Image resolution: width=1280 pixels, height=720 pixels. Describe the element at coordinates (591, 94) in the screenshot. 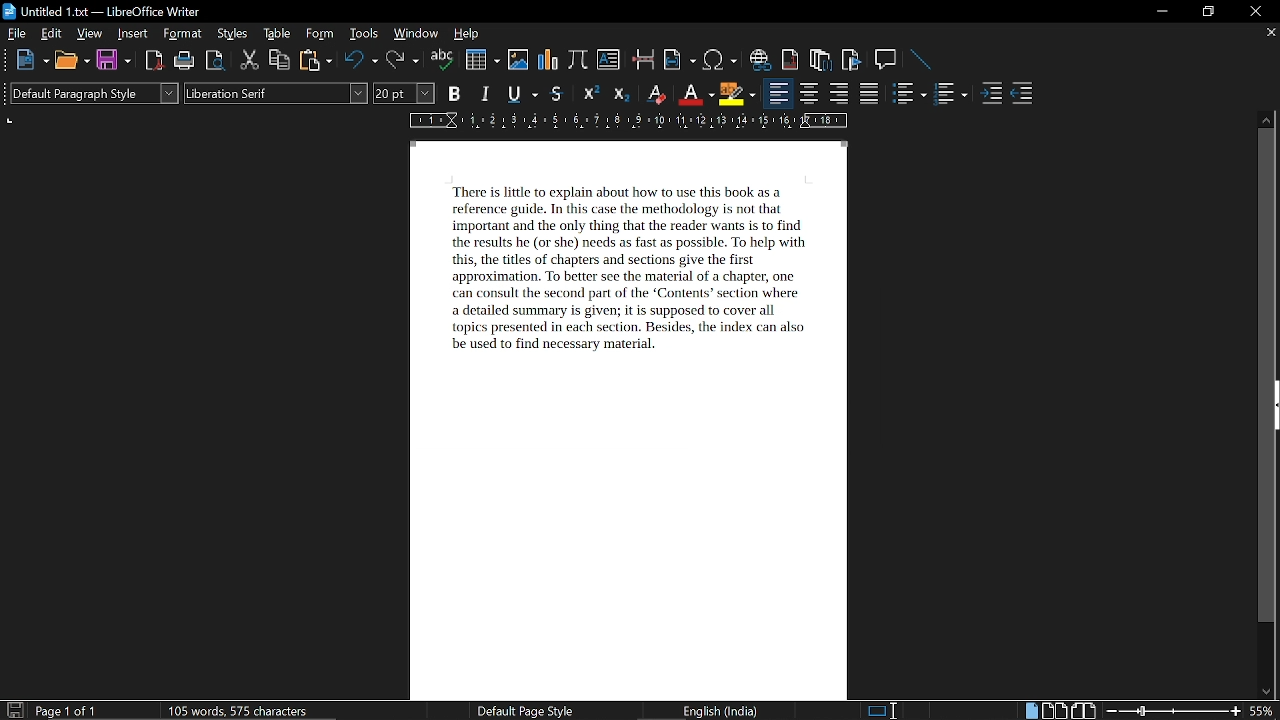

I see `superscript` at that location.